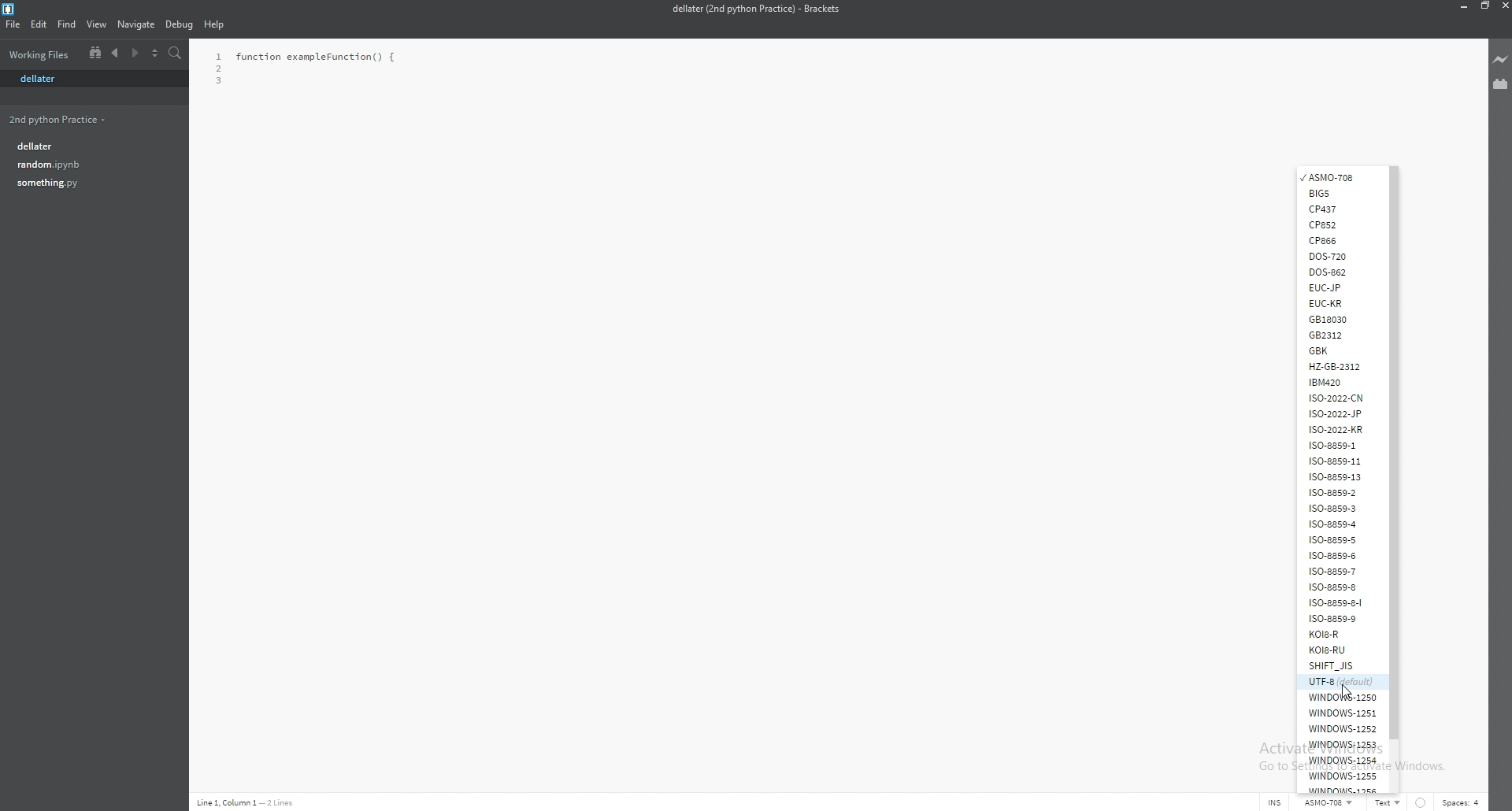  I want to click on iso-8859-11, so click(1340, 461).